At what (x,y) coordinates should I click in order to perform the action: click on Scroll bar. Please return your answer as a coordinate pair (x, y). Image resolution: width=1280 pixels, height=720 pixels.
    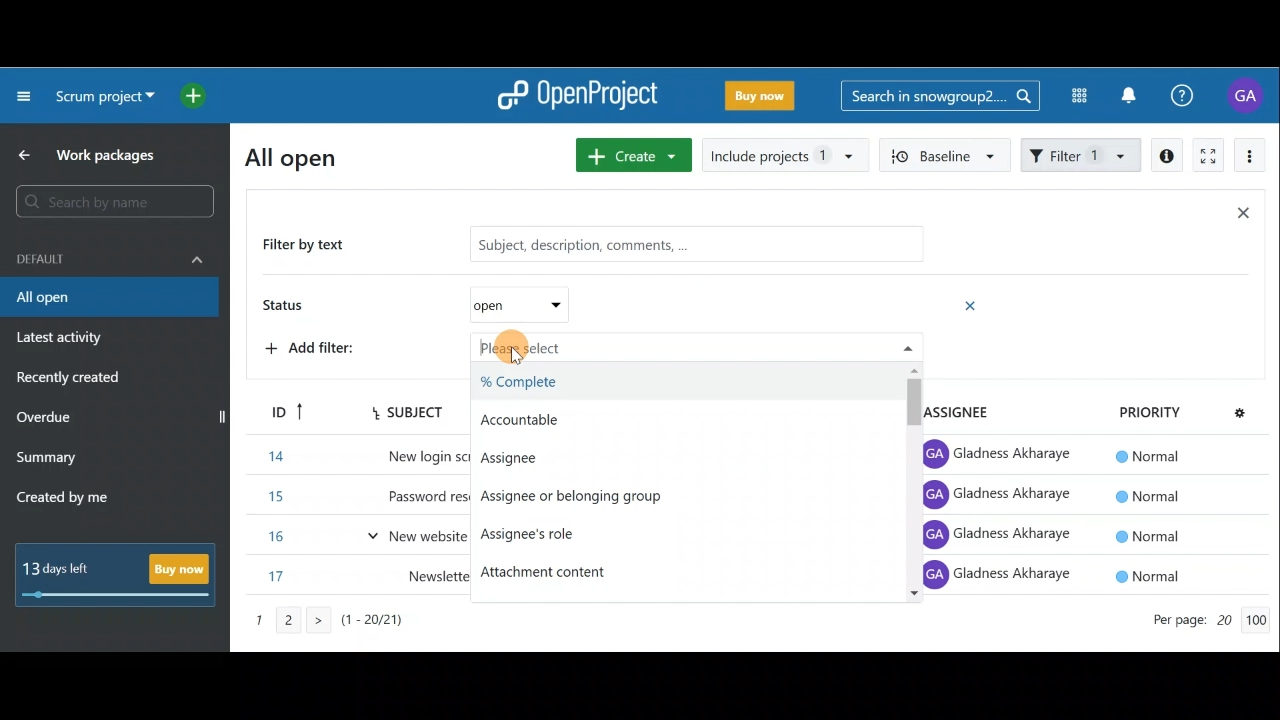
    Looking at the image, I should click on (912, 479).